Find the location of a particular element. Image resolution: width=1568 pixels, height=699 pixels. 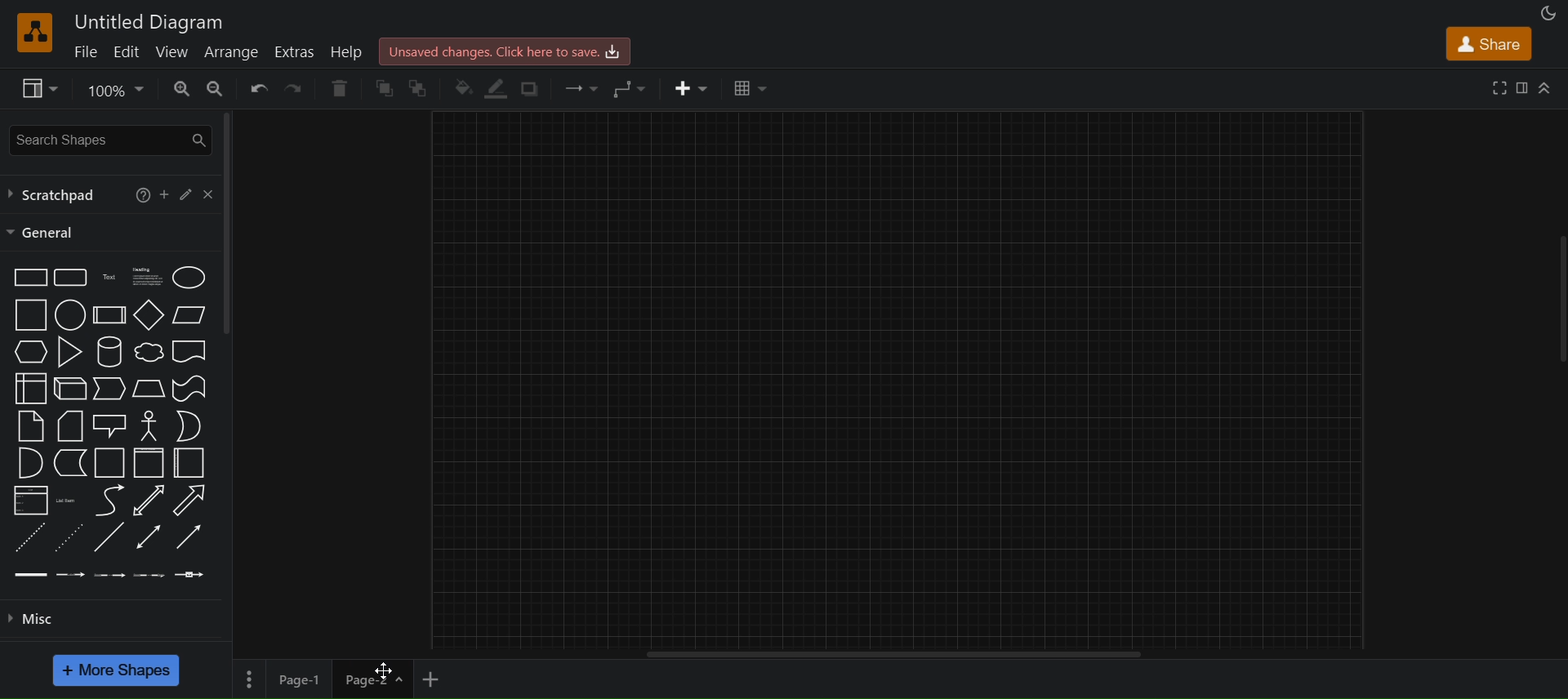

cylinder is located at coordinates (107, 353).